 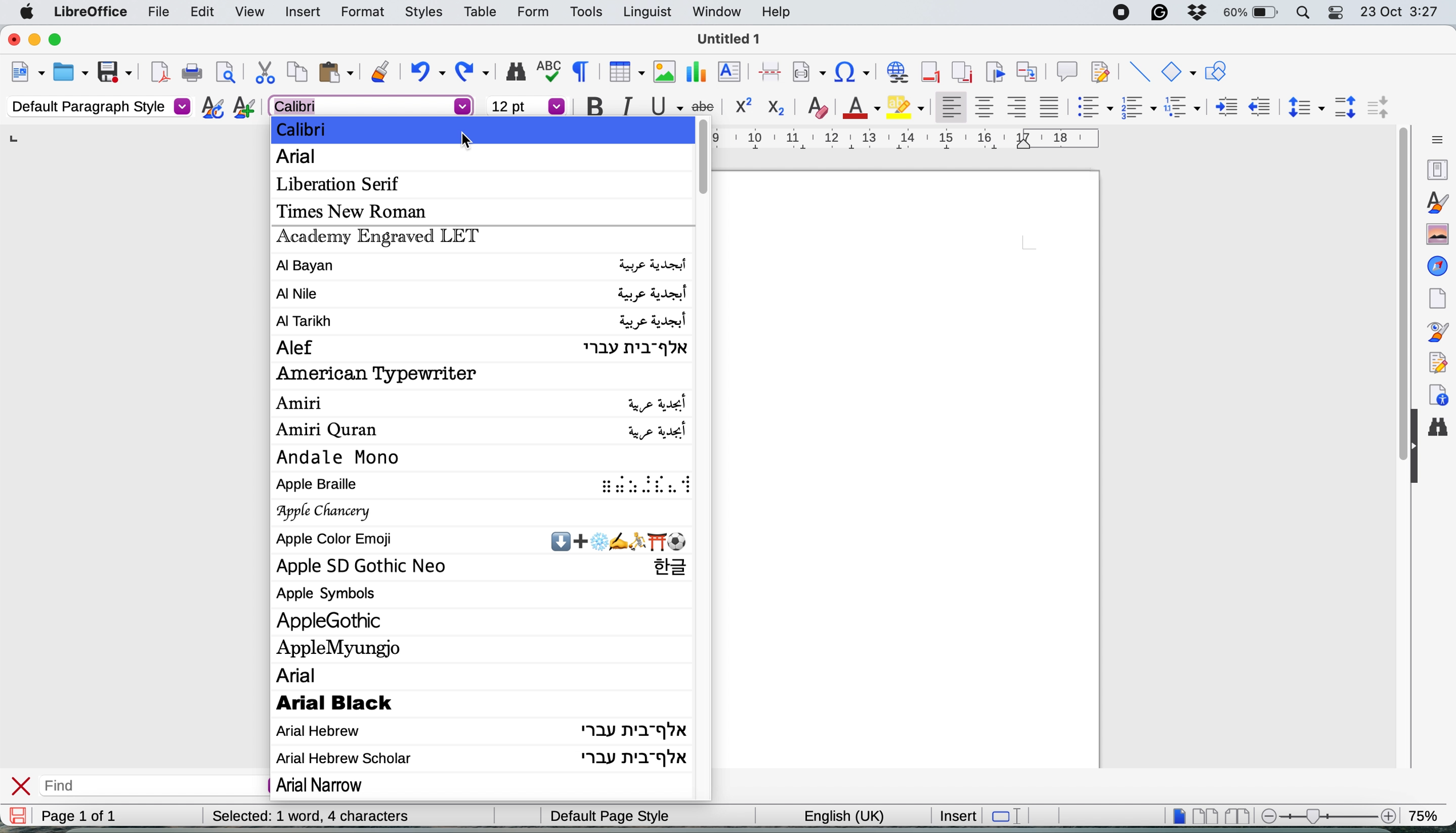 I want to click on style, so click(x=917, y=138).